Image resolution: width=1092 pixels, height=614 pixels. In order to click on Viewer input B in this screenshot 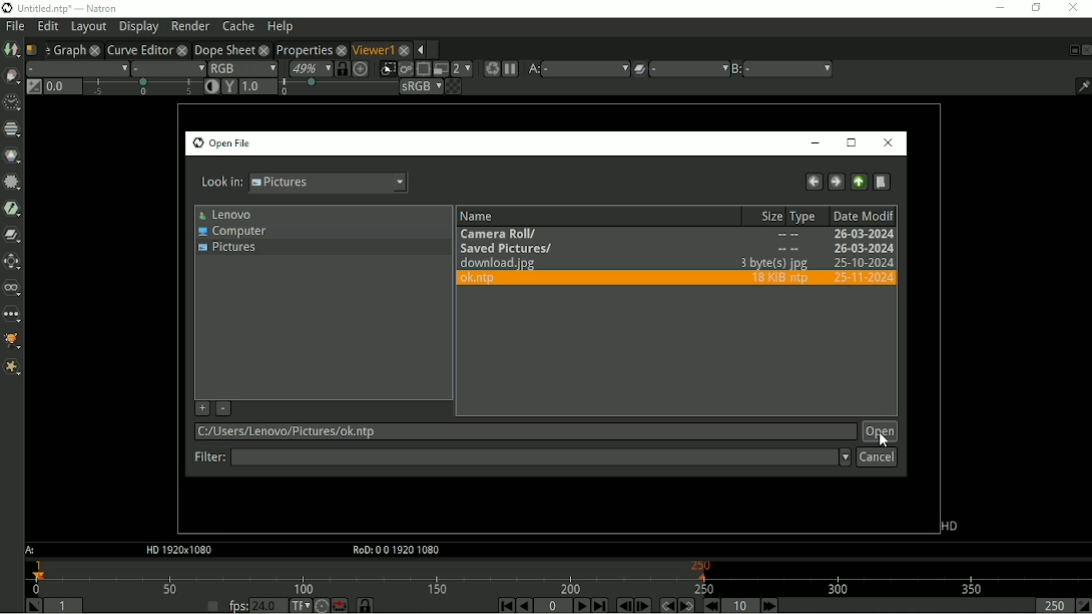, I will do `click(737, 69)`.